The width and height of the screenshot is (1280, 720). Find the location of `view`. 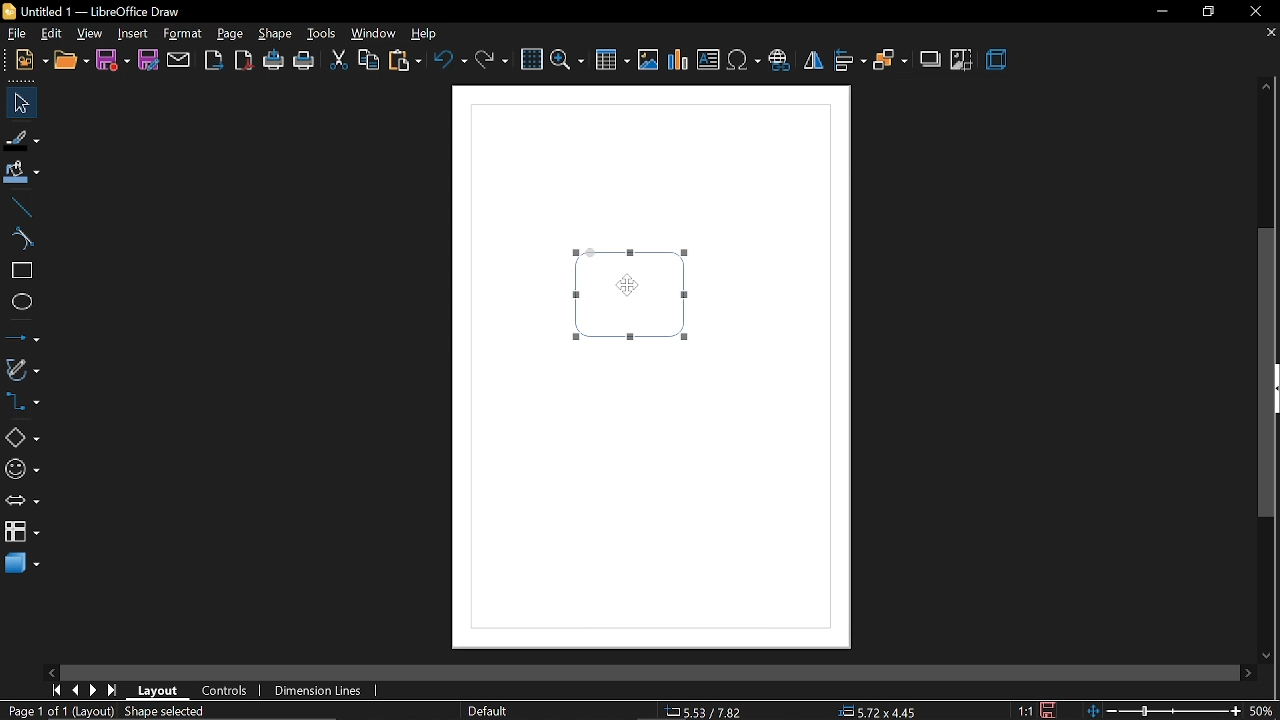

view is located at coordinates (90, 34).